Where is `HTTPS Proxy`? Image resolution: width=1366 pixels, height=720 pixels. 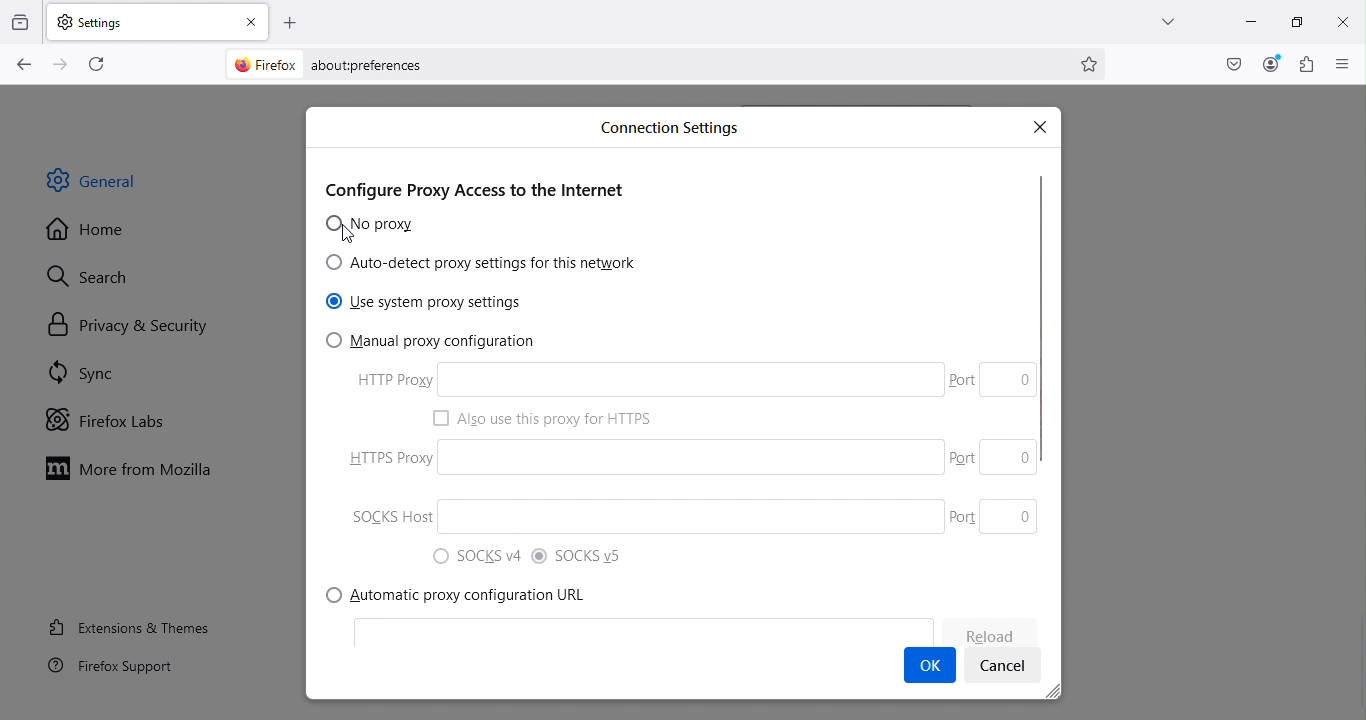
HTTPS Proxy is located at coordinates (382, 461).